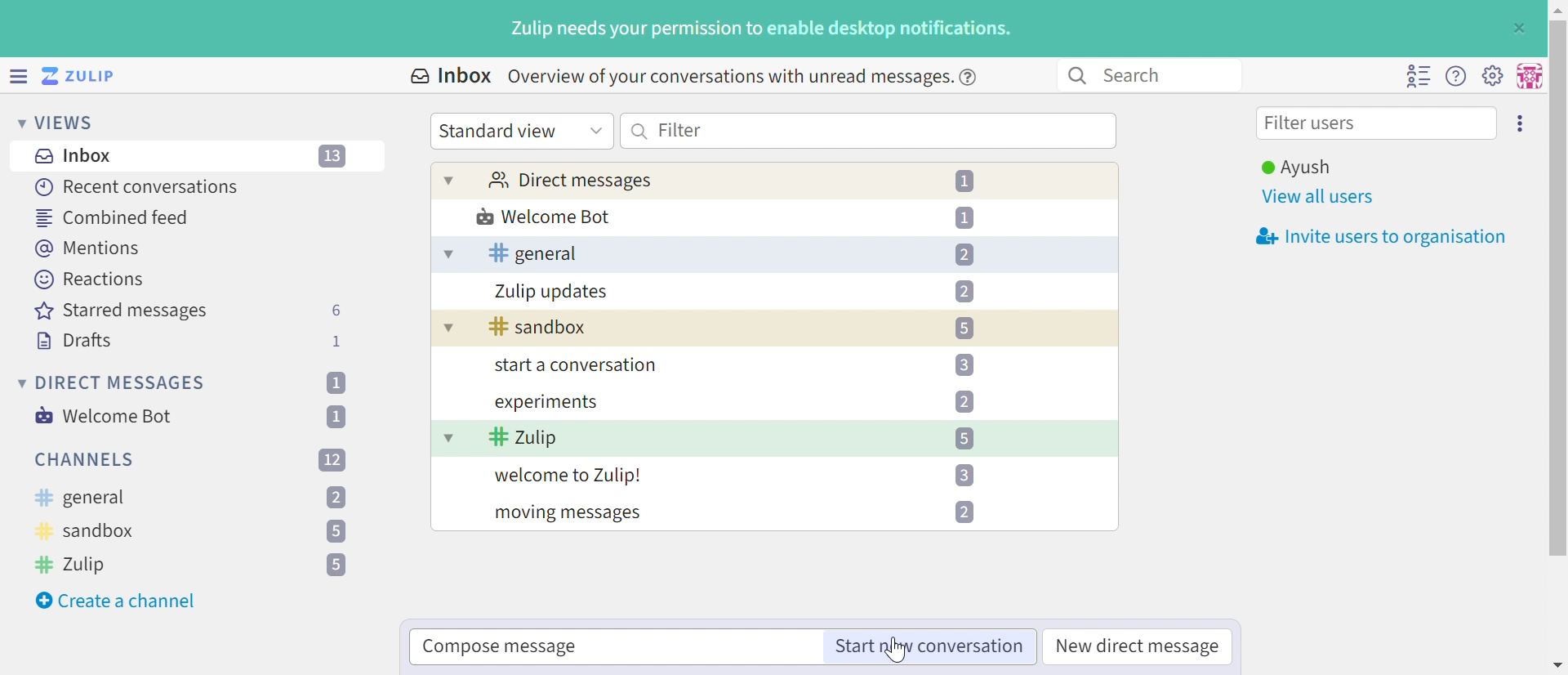 The width and height of the screenshot is (1568, 675). What do you see at coordinates (78, 156) in the screenshot?
I see `Inbox` at bounding box center [78, 156].